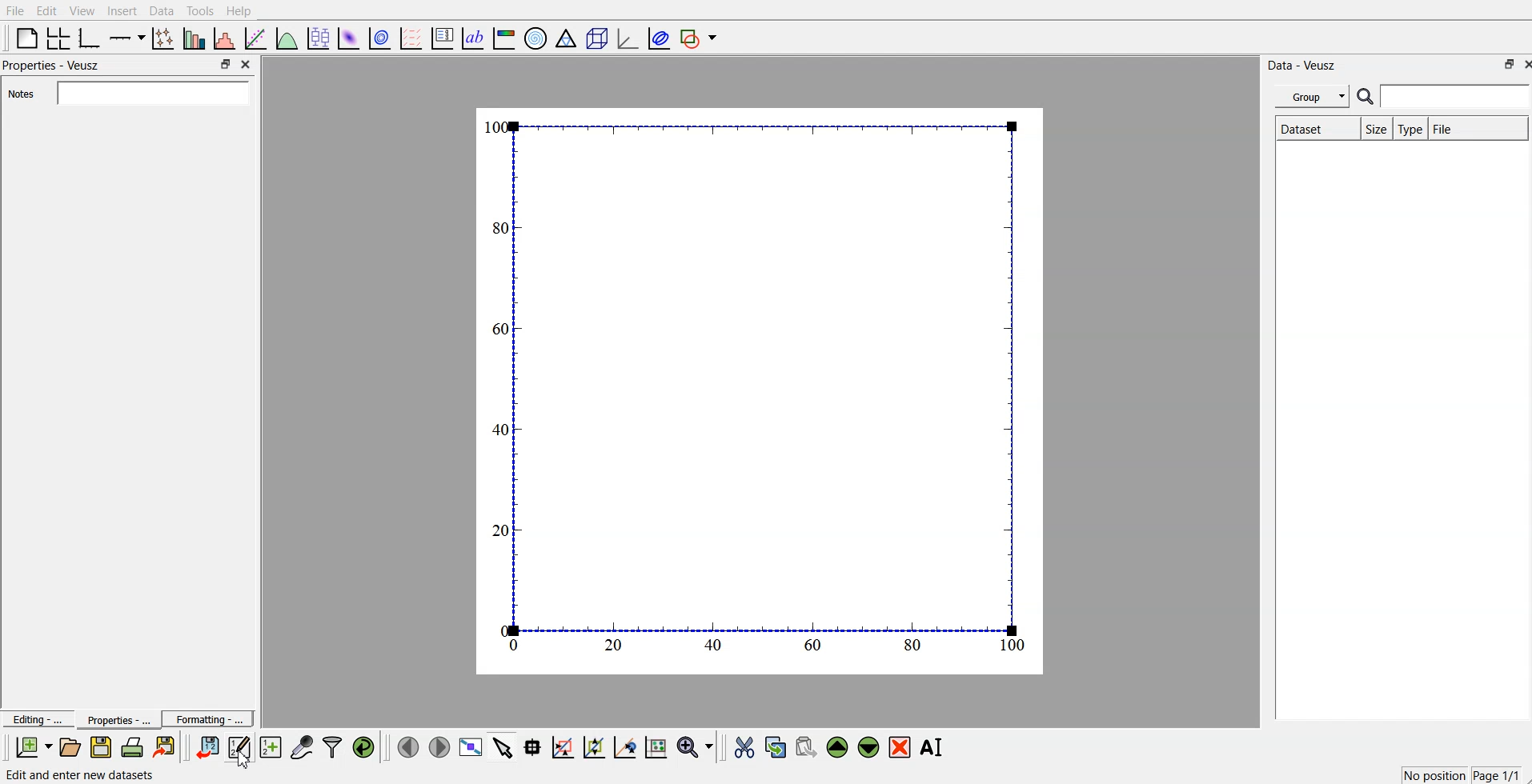 This screenshot has height=784, width=1532. What do you see at coordinates (200, 11) in the screenshot?
I see `Tools` at bounding box center [200, 11].